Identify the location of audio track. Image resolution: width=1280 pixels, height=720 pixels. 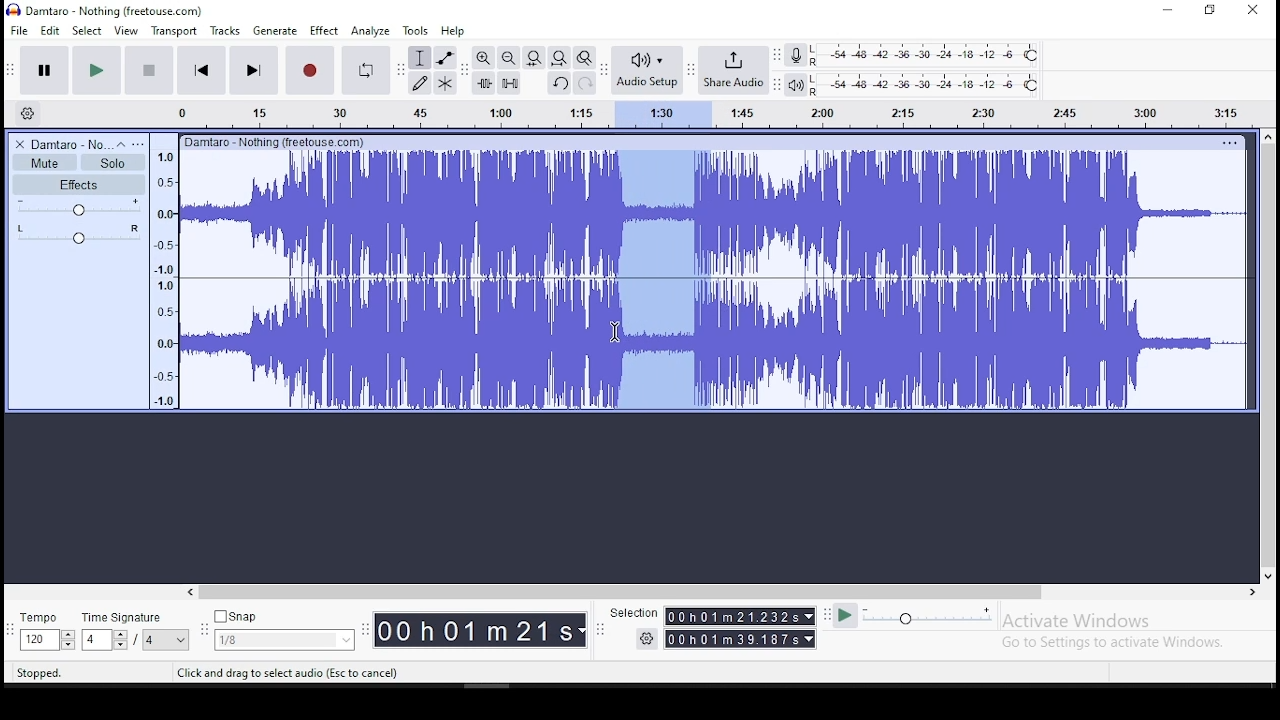
(715, 344).